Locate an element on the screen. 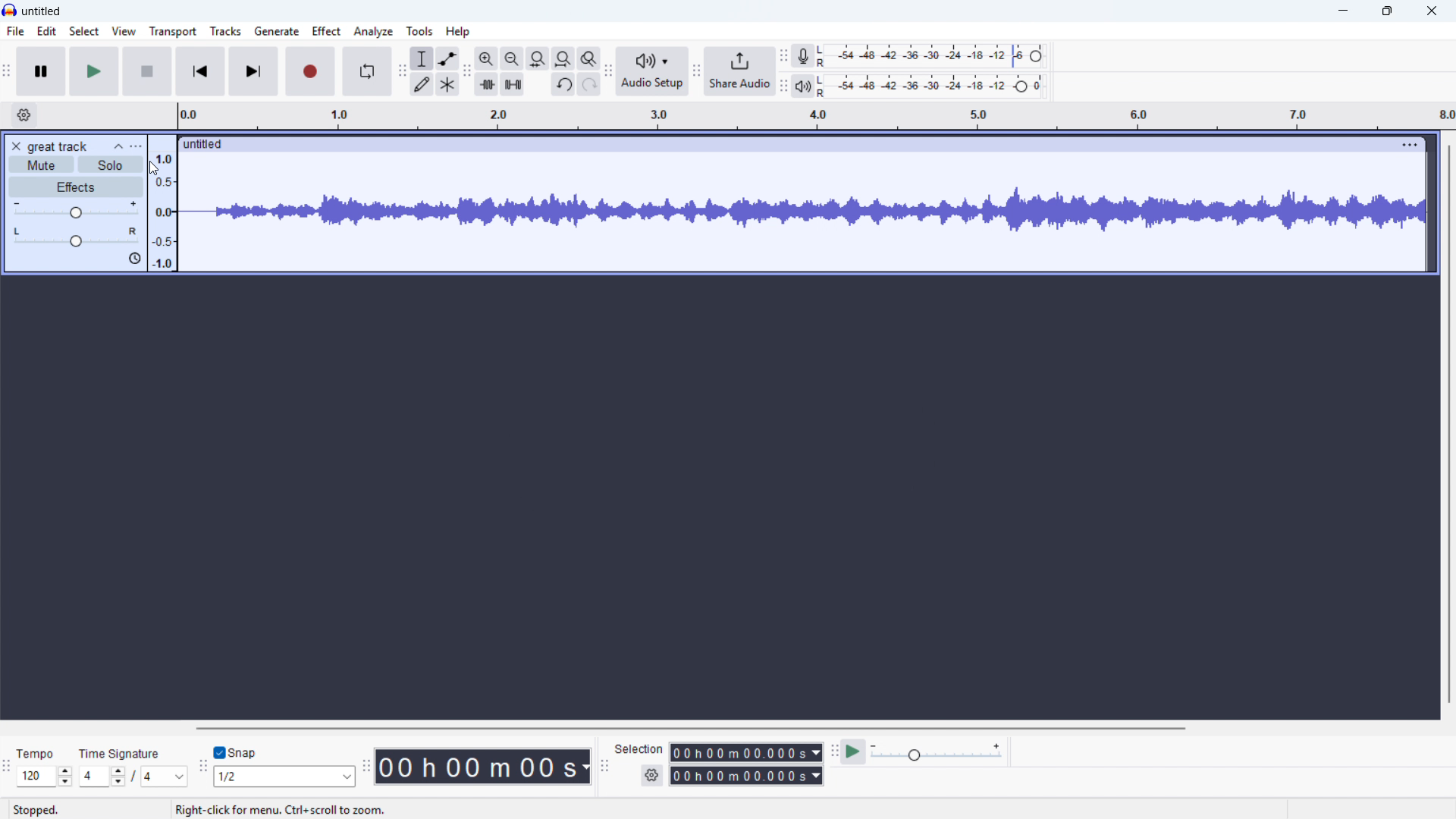 The width and height of the screenshot is (1456, 819). Transport  is located at coordinates (172, 32).